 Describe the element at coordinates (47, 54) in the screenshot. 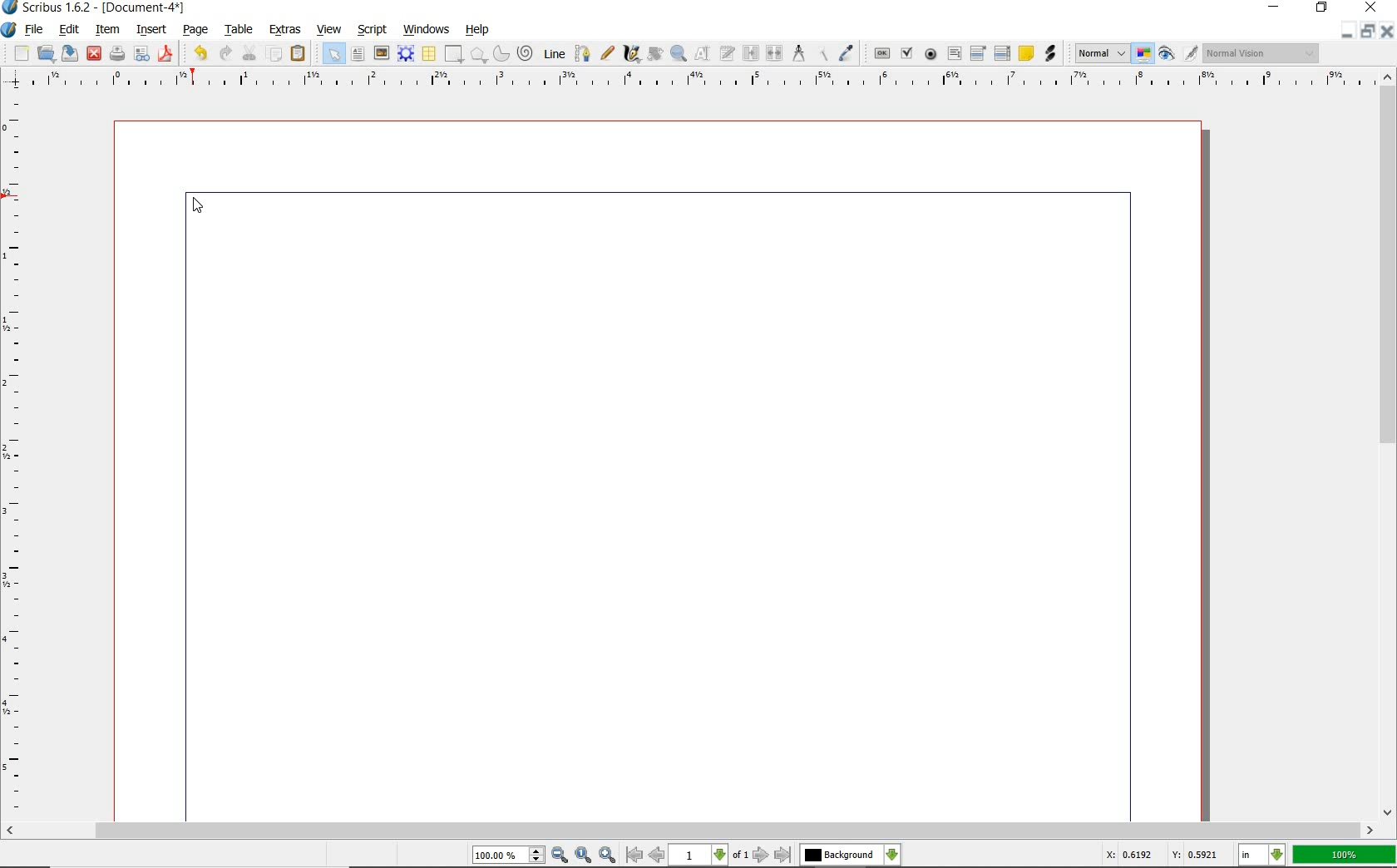

I see `open` at that location.